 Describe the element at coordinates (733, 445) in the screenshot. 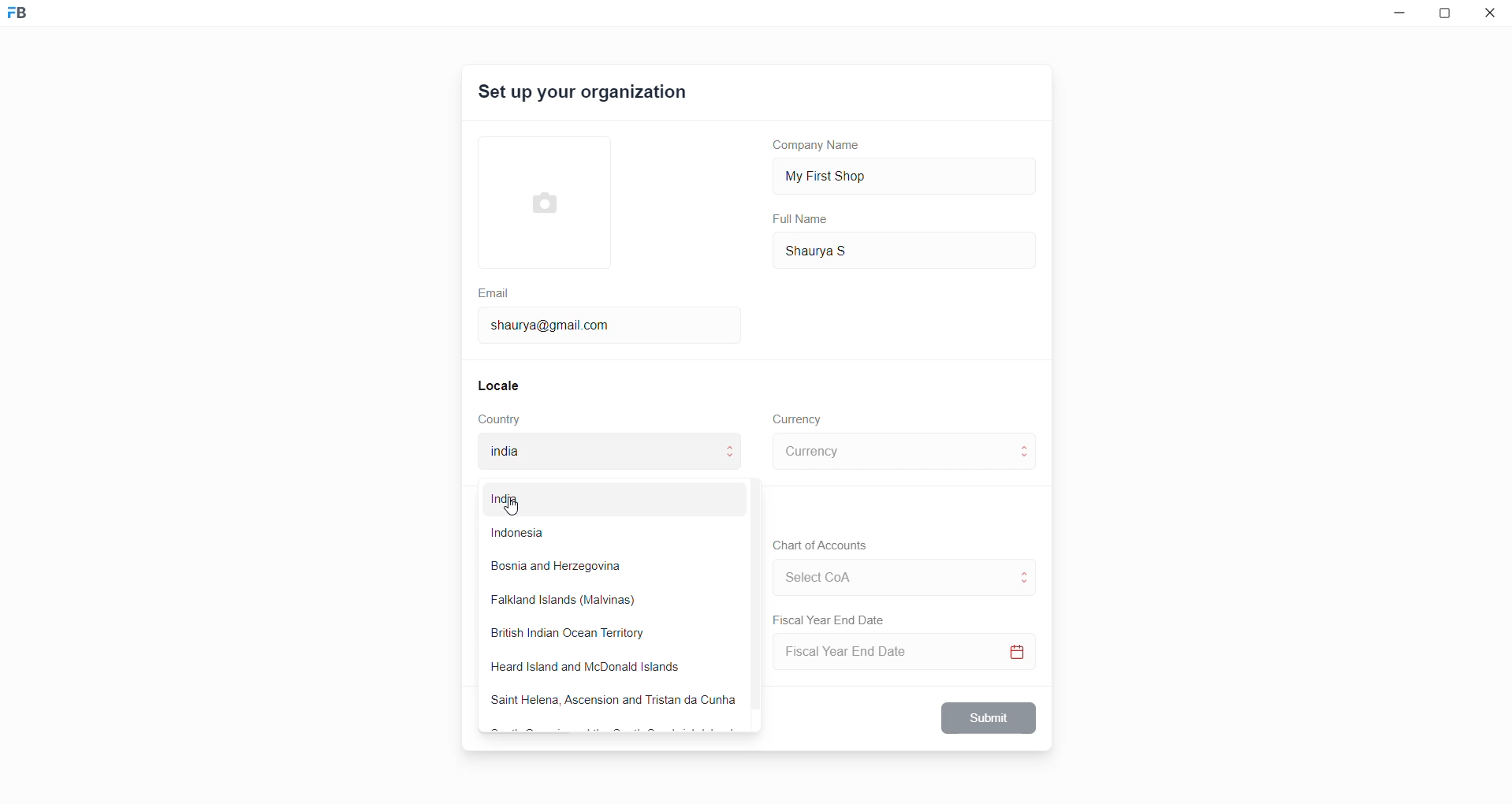

I see `move to above country` at that location.